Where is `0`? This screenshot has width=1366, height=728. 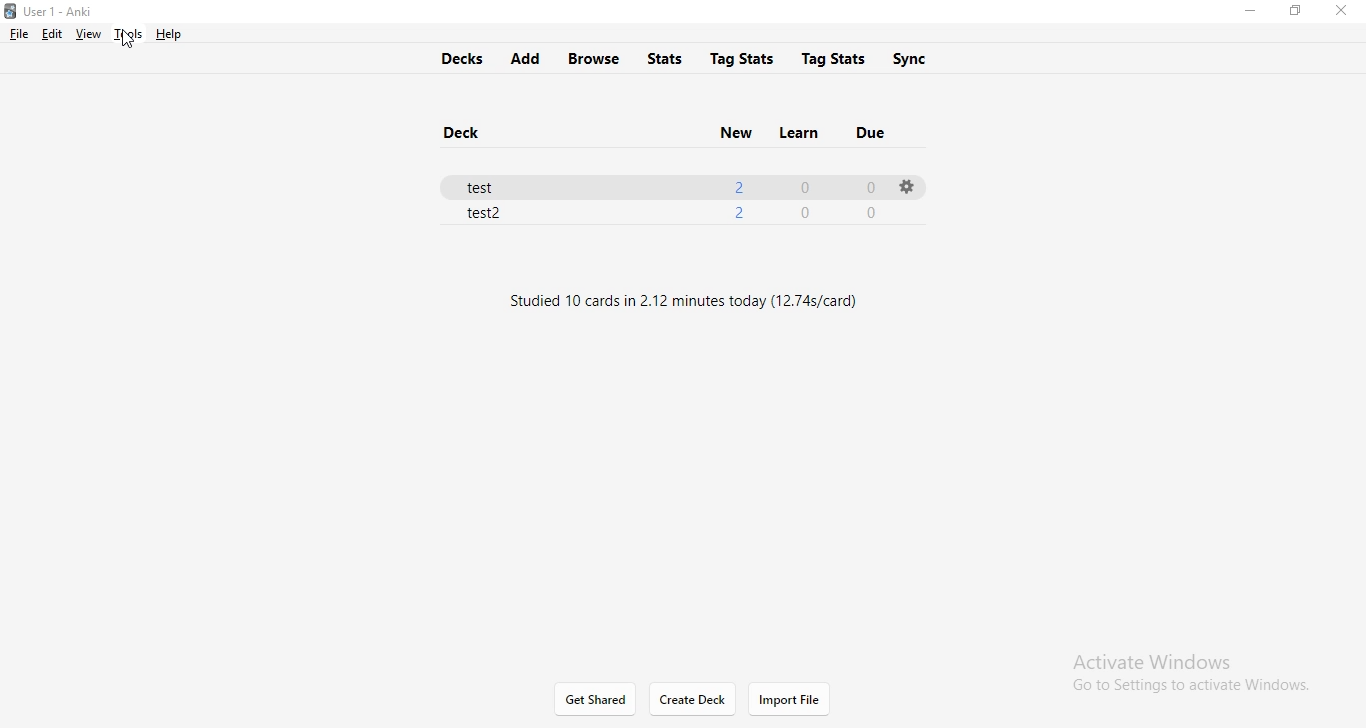
0 is located at coordinates (806, 215).